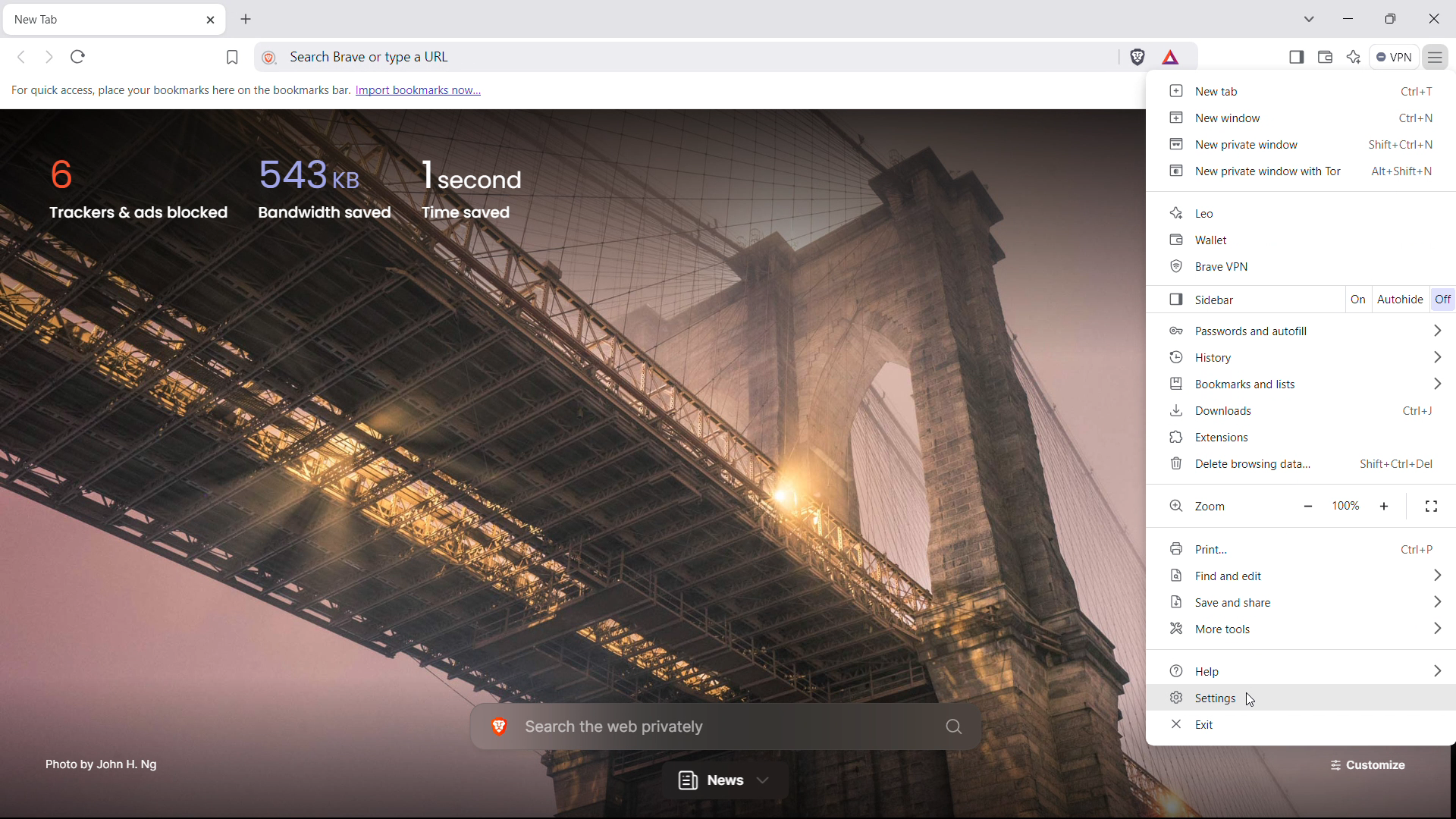  What do you see at coordinates (1304, 697) in the screenshot?
I see `settings` at bounding box center [1304, 697].